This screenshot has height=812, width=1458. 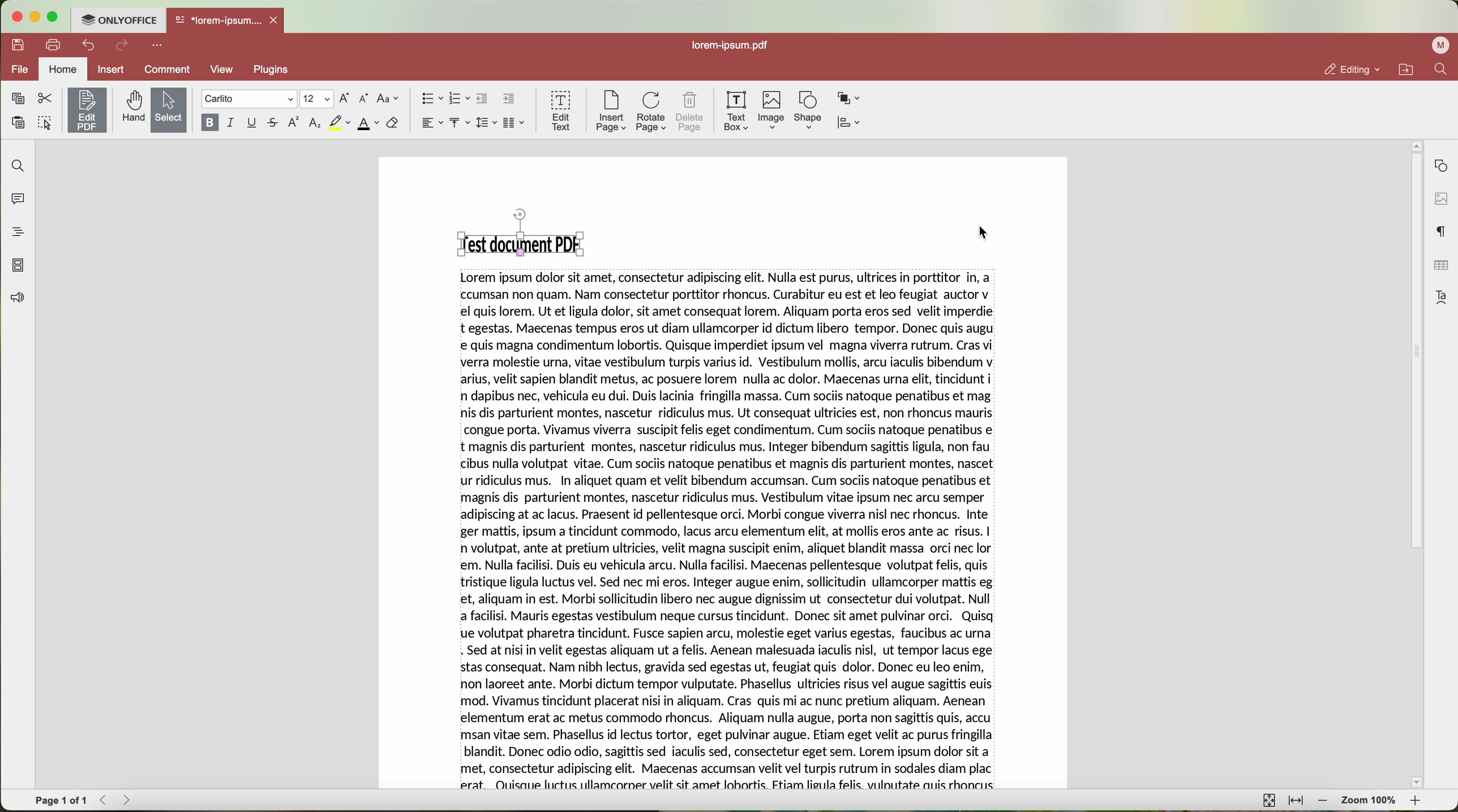 What do you see at coordinates (652, 111) in the screenshot?
I see `rotate page` at bounding box center [652, 111].